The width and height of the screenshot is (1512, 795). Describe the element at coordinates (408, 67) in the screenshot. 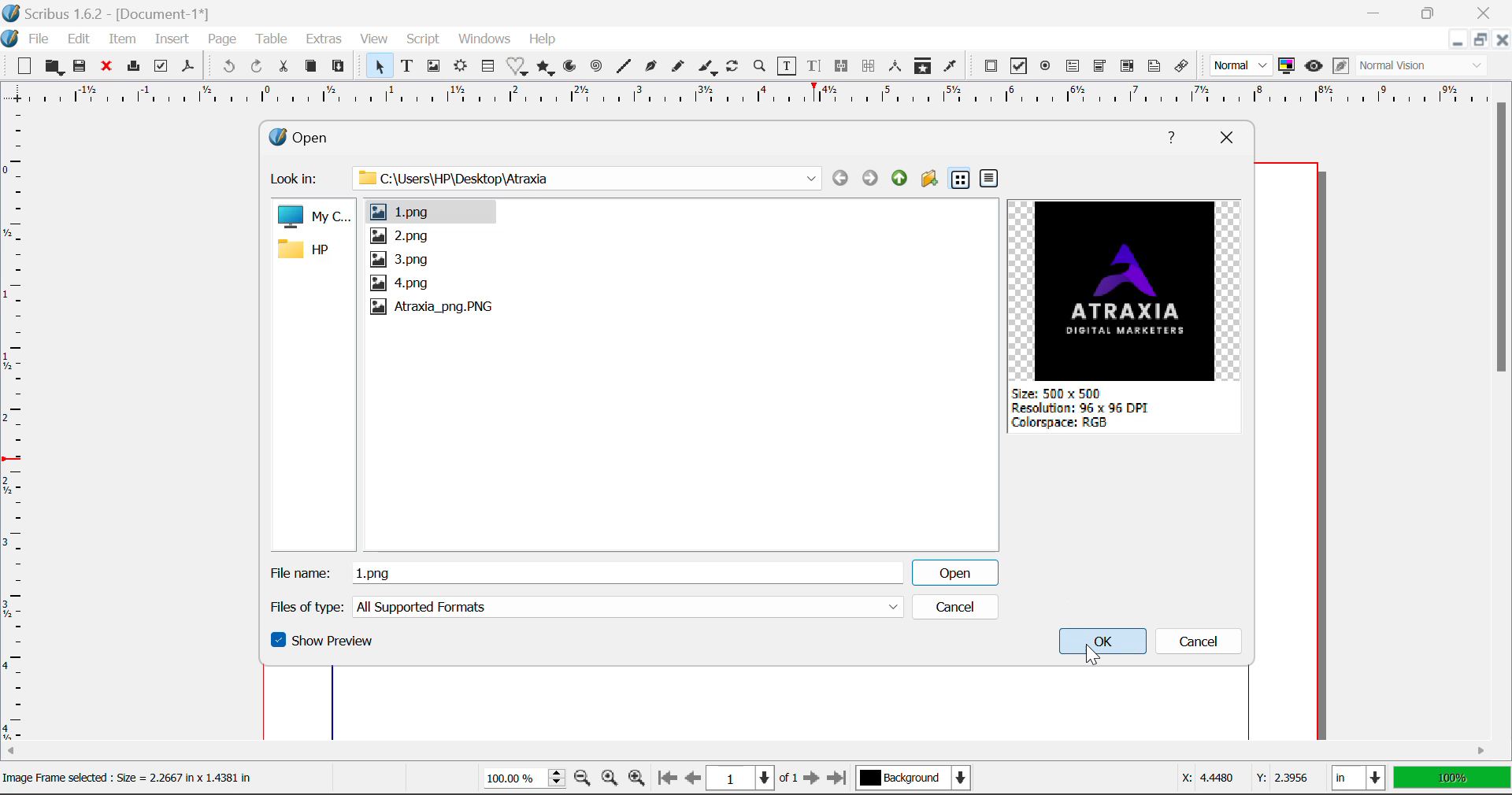

I see `Text Frames` at that location.